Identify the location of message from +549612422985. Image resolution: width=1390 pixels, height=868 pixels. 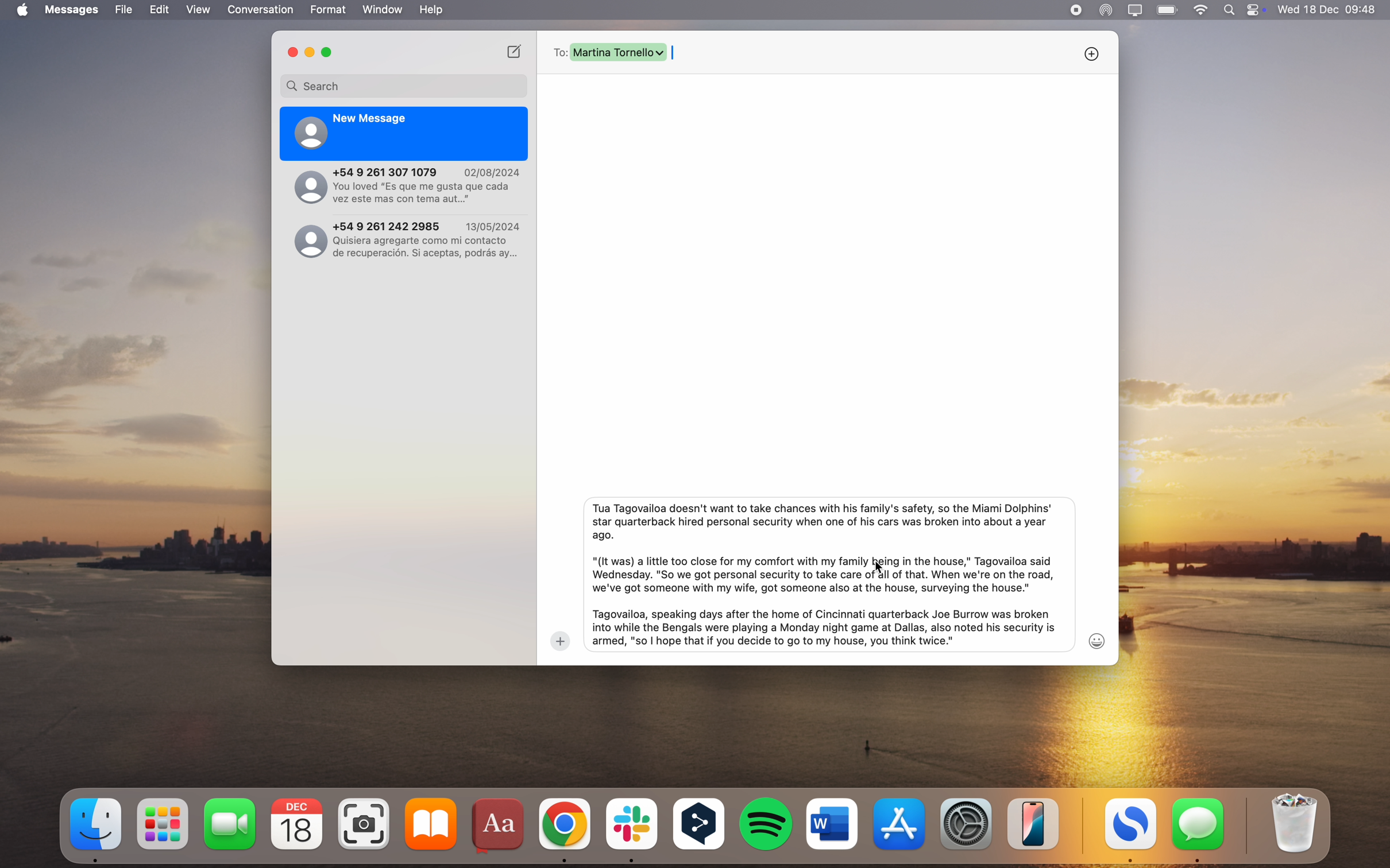
(409, 238).